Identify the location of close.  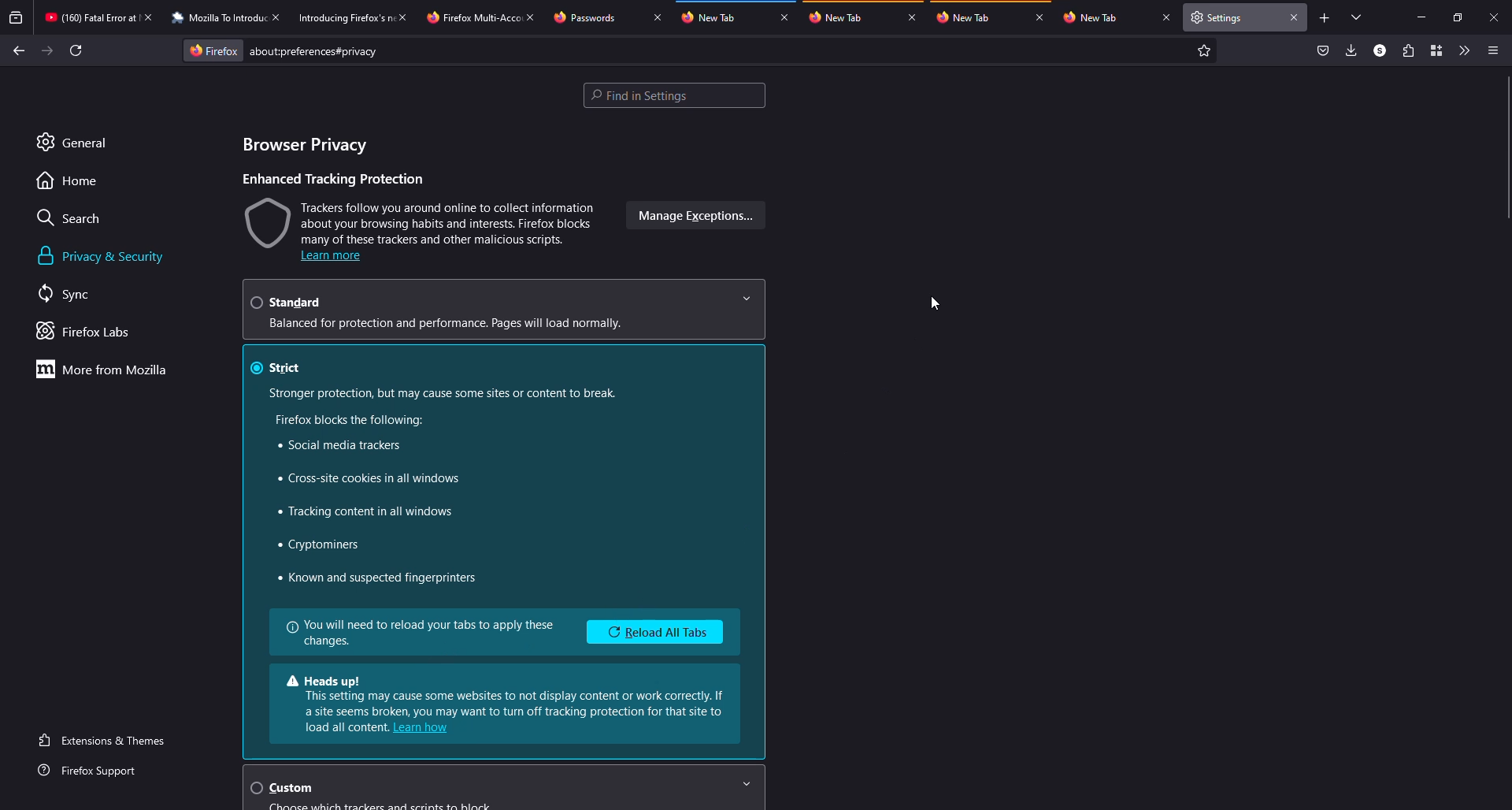
(1165, 17).